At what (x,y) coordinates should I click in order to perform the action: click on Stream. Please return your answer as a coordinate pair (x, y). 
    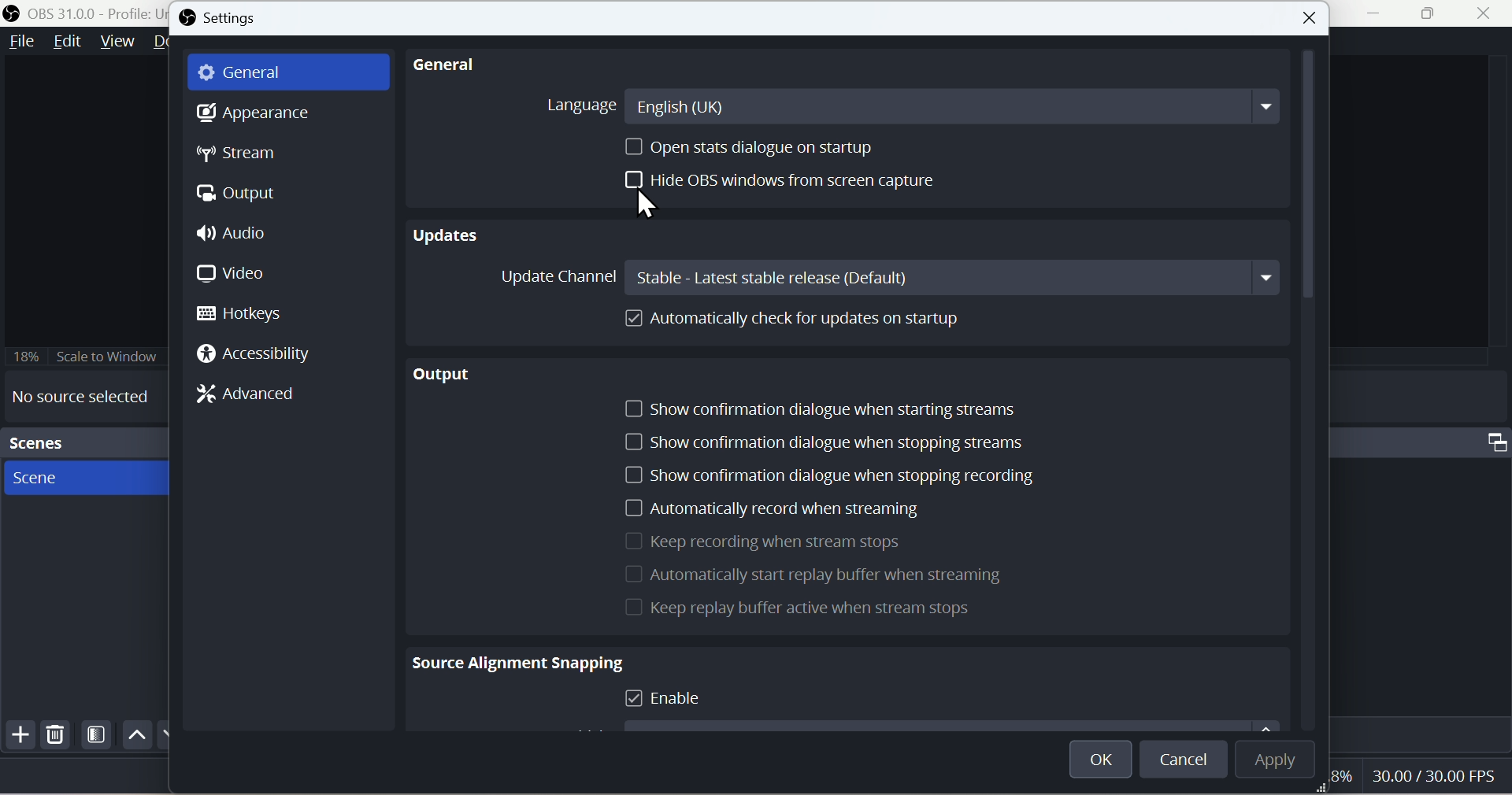
    Looking at the image, I should click on (239, 156).